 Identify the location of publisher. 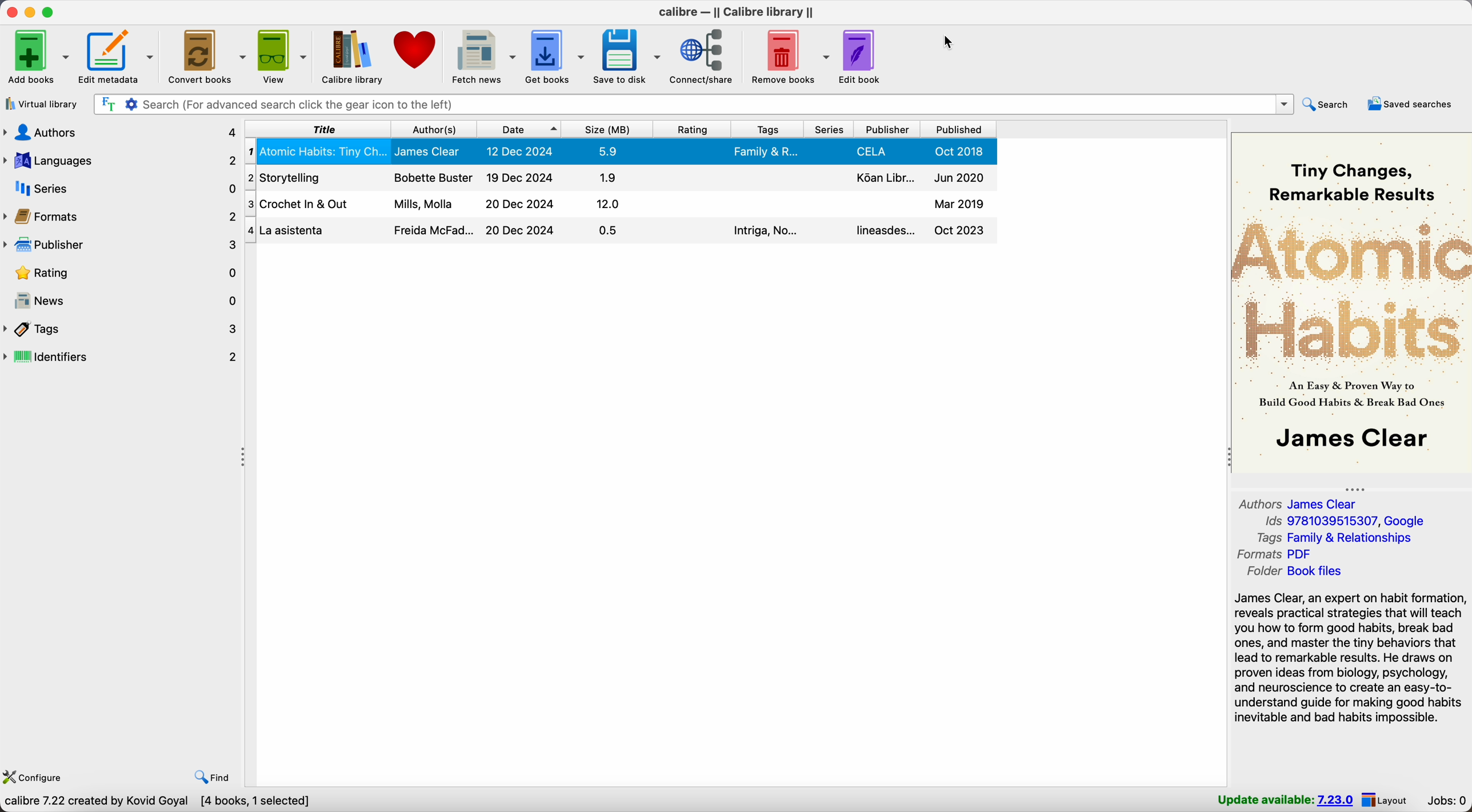
(890, 129).